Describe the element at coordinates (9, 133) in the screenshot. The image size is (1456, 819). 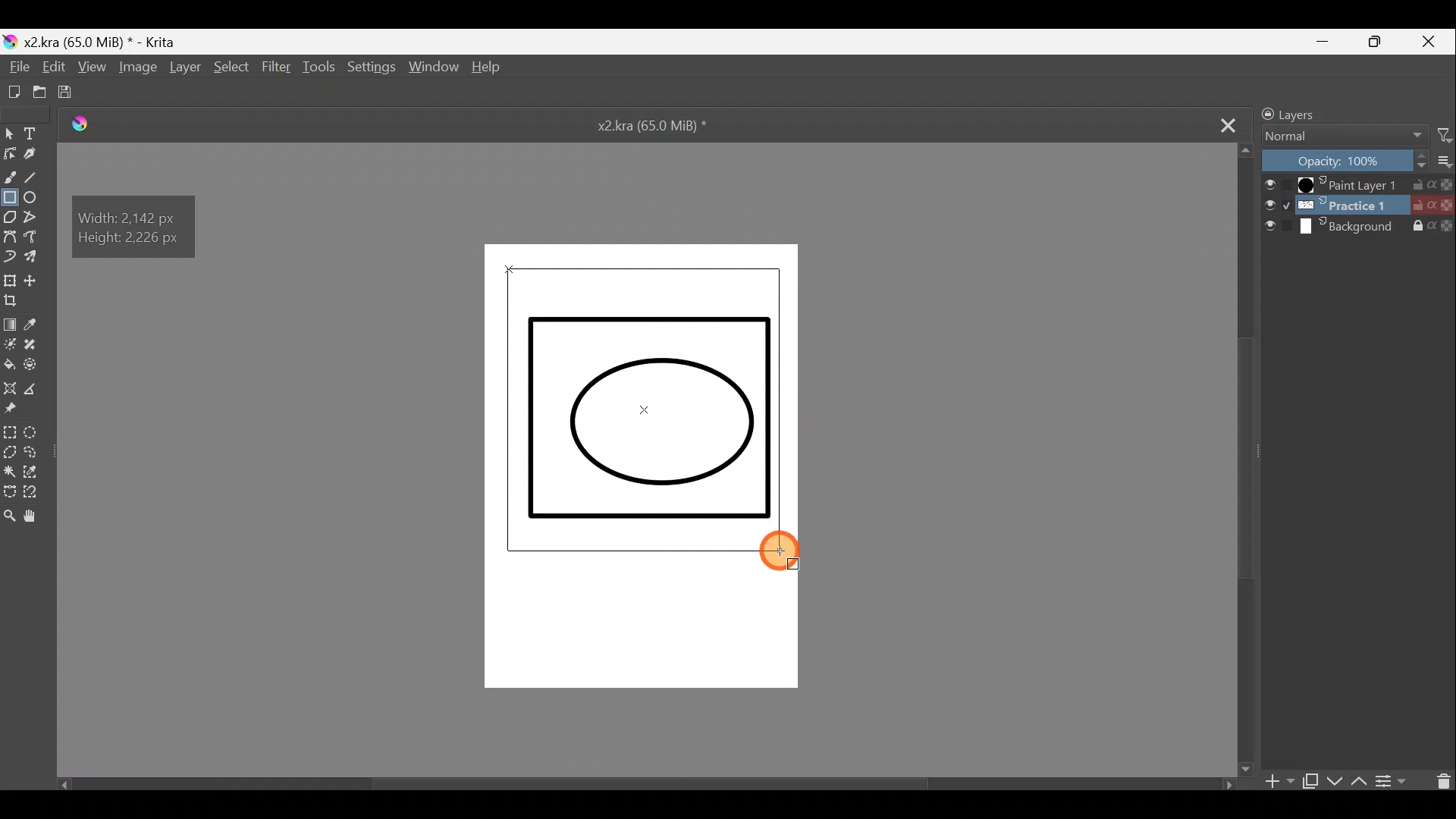
I see `Select shapes tool` at that location.